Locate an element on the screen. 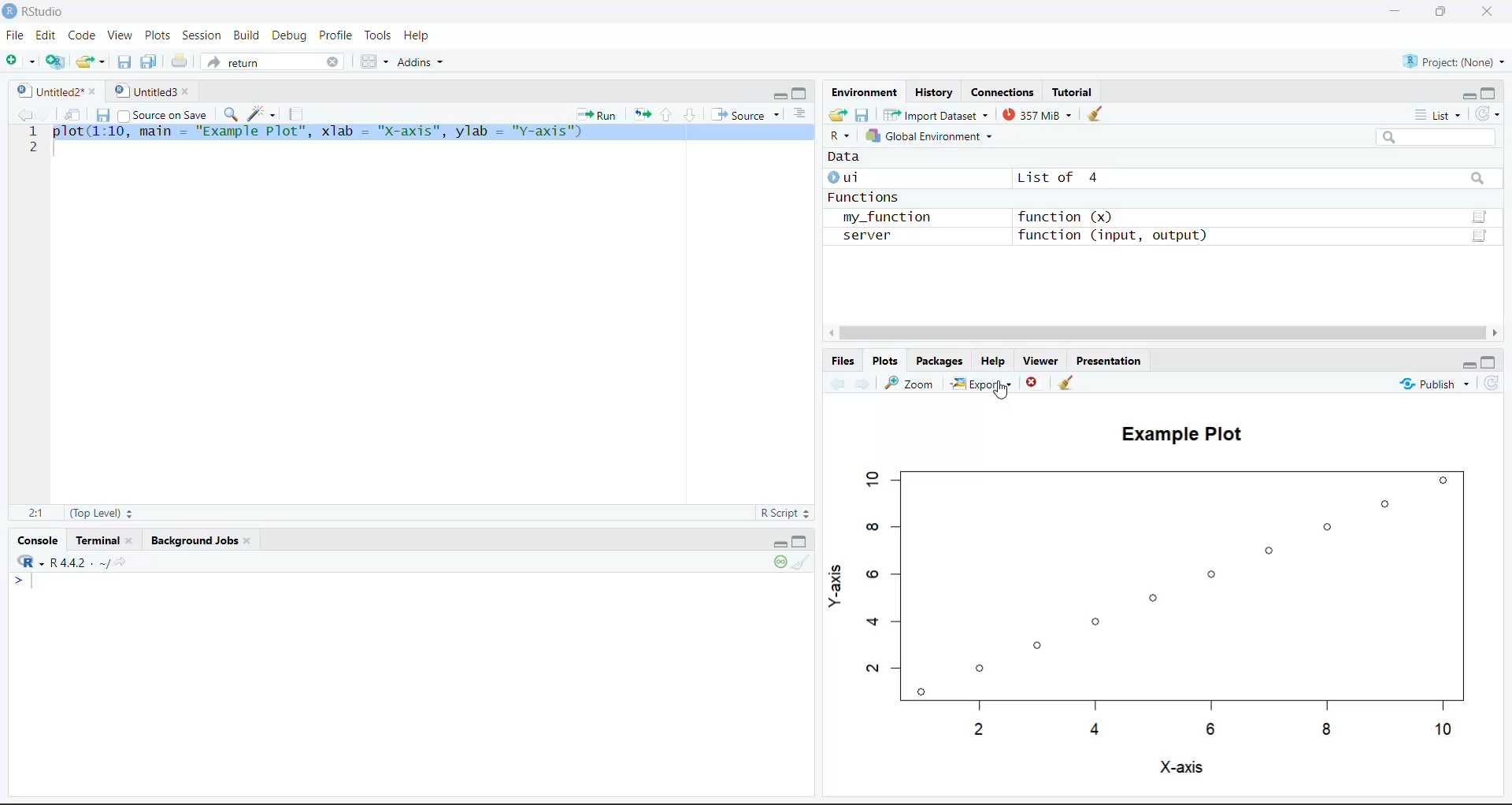 This screenshot has height=805, width=1512. Search bar is located at coordinates (1437, 137).